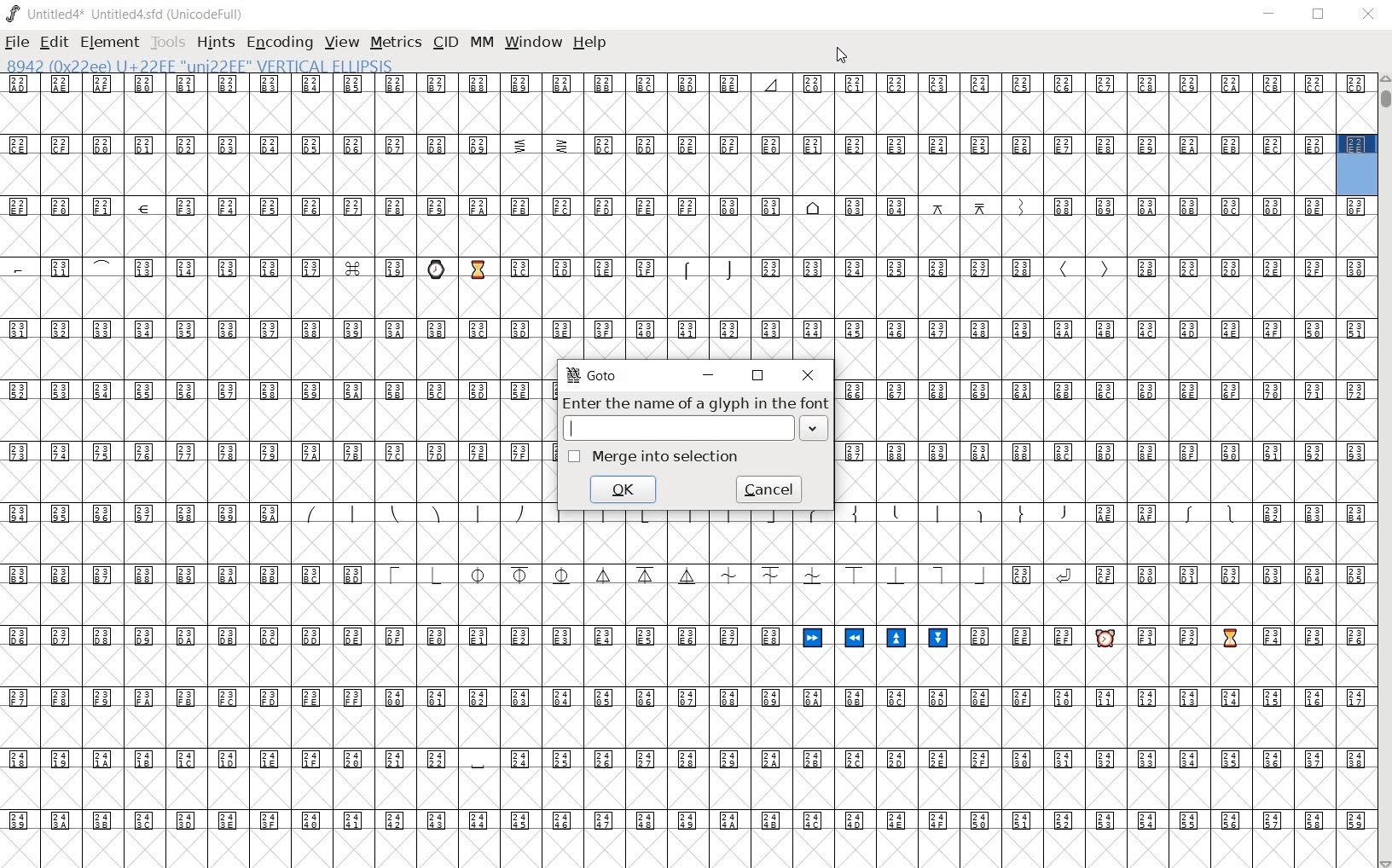 This screenshot has height=868, width=1392. What do you see at coordinates (281, 42) in the screenshot?
I see `ENCODING` at bounding box center [281, 42].